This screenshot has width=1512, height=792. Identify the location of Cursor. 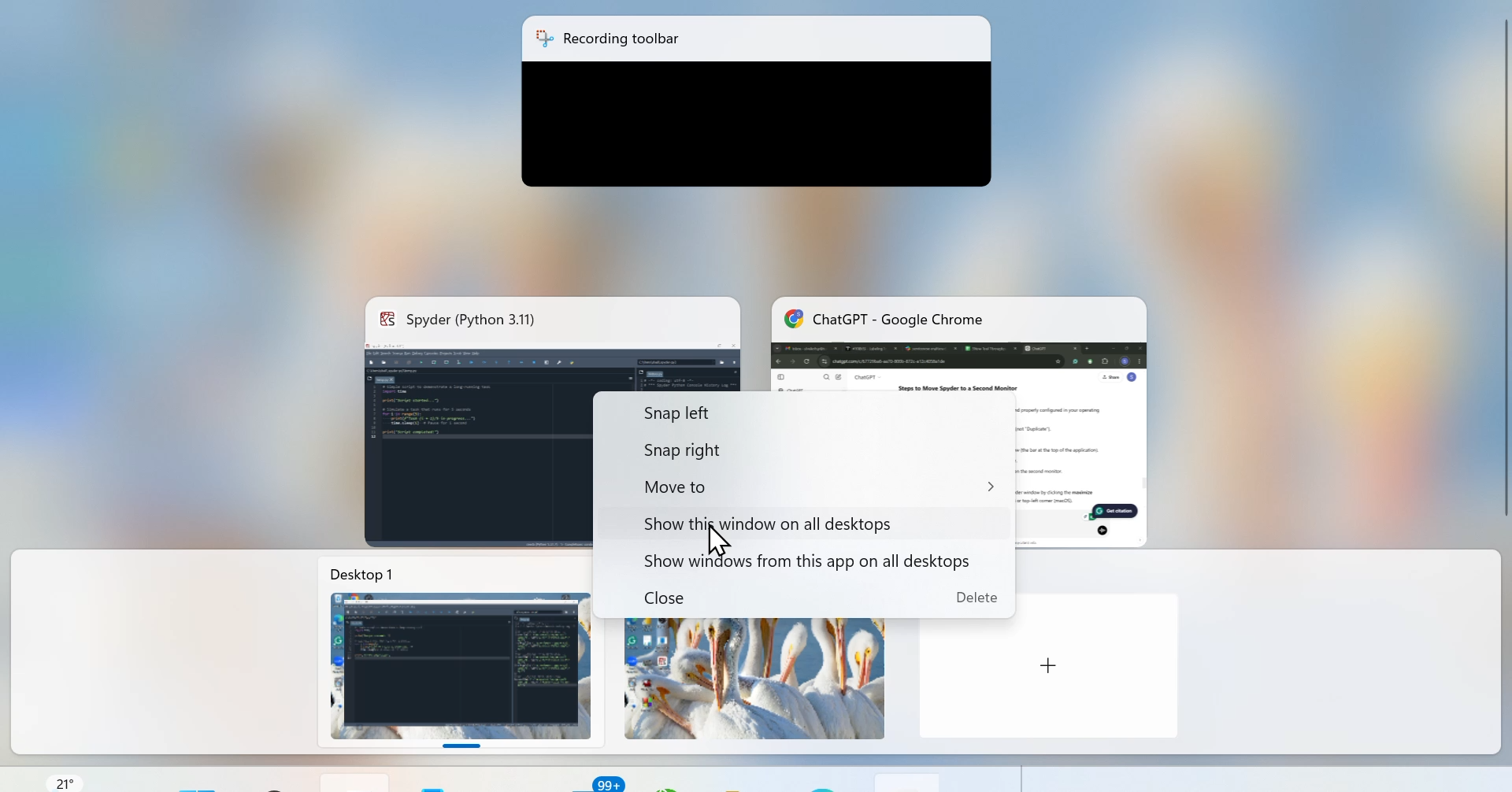
(724, 542).